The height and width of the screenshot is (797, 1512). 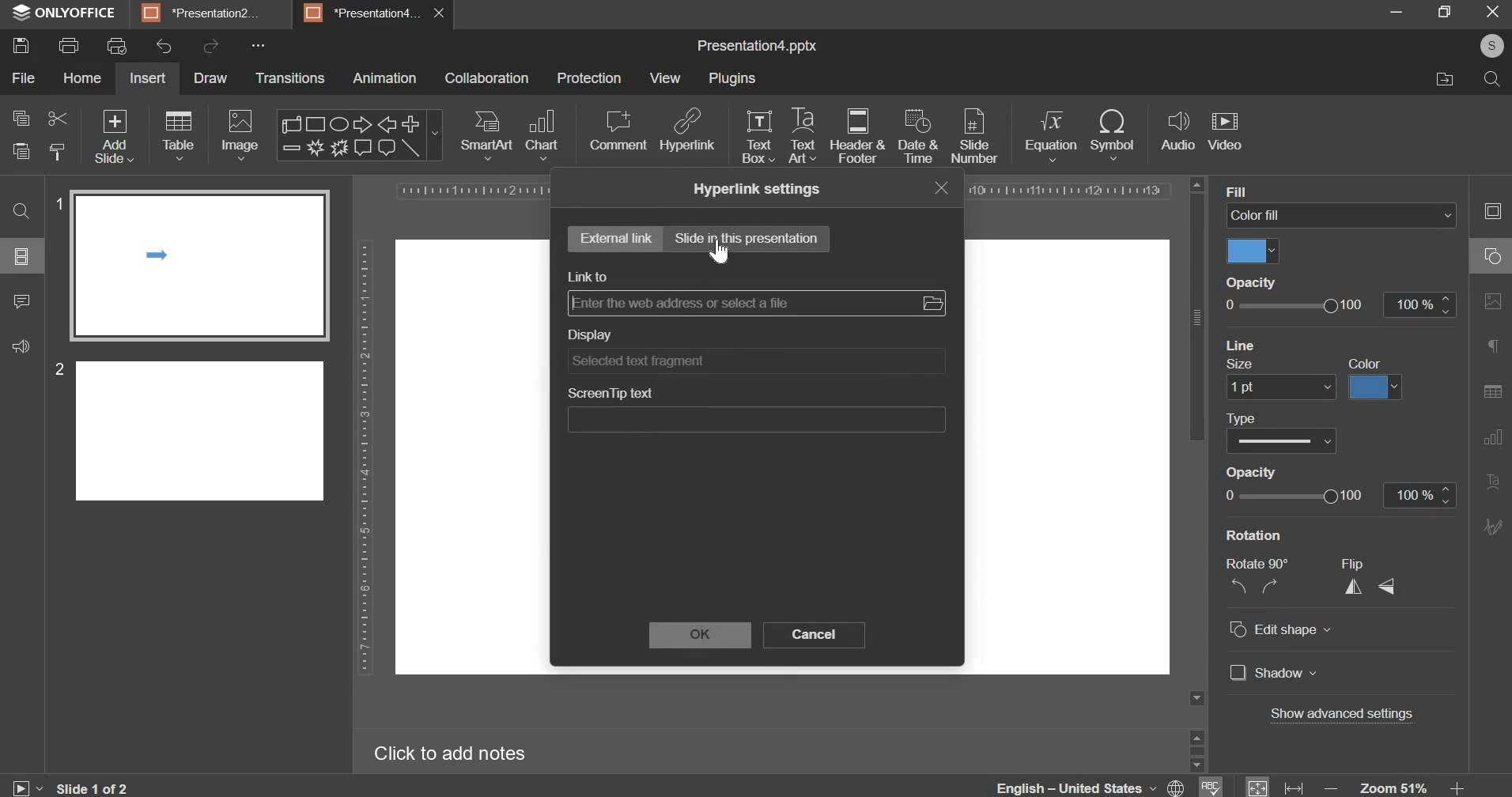 What do you see at coordinates (1114, 133) in the screenshot?
I see `symbol` at bounding box center [1114, 133].